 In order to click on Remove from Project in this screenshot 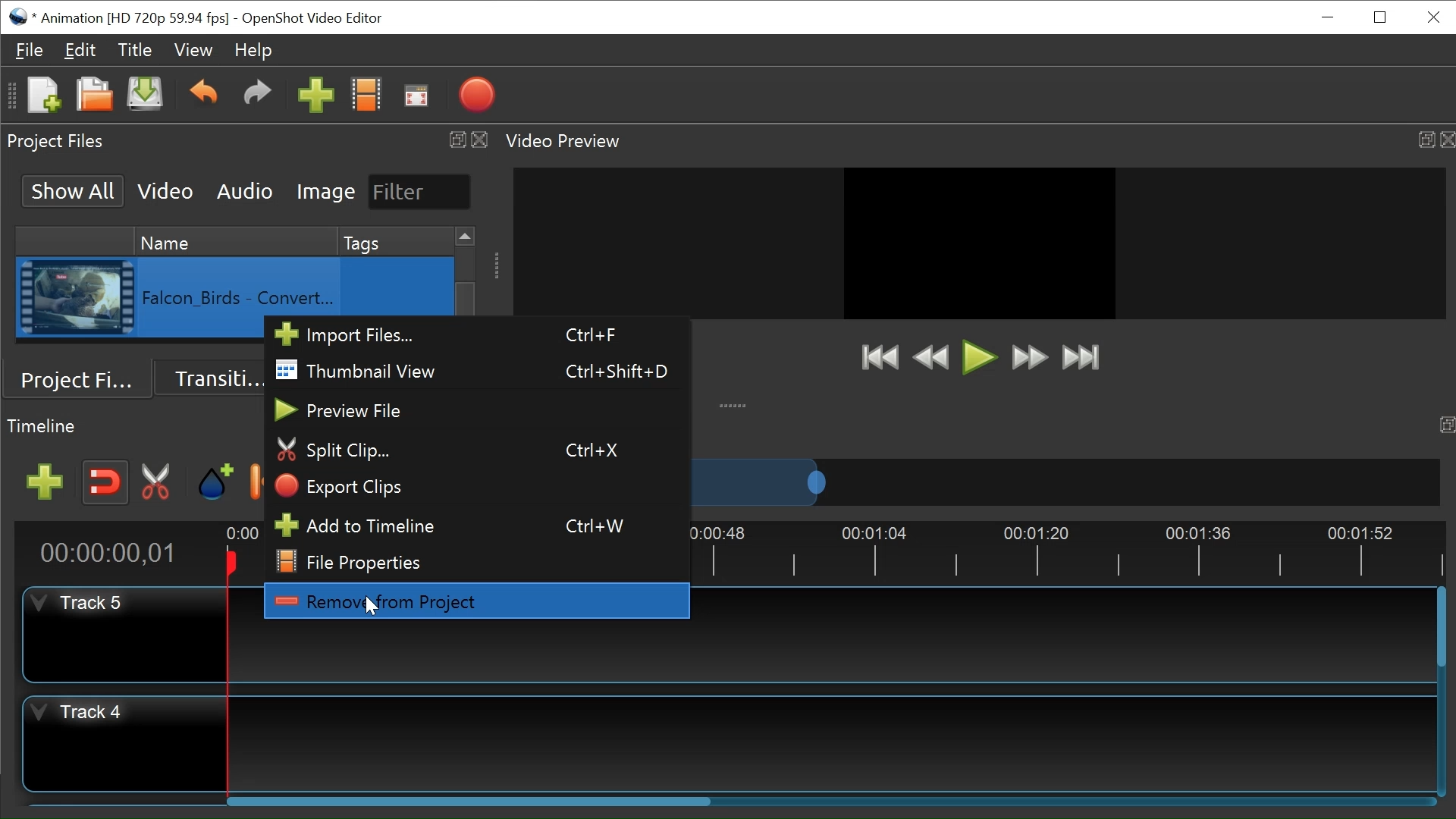, I will do `click(475, 600)`.